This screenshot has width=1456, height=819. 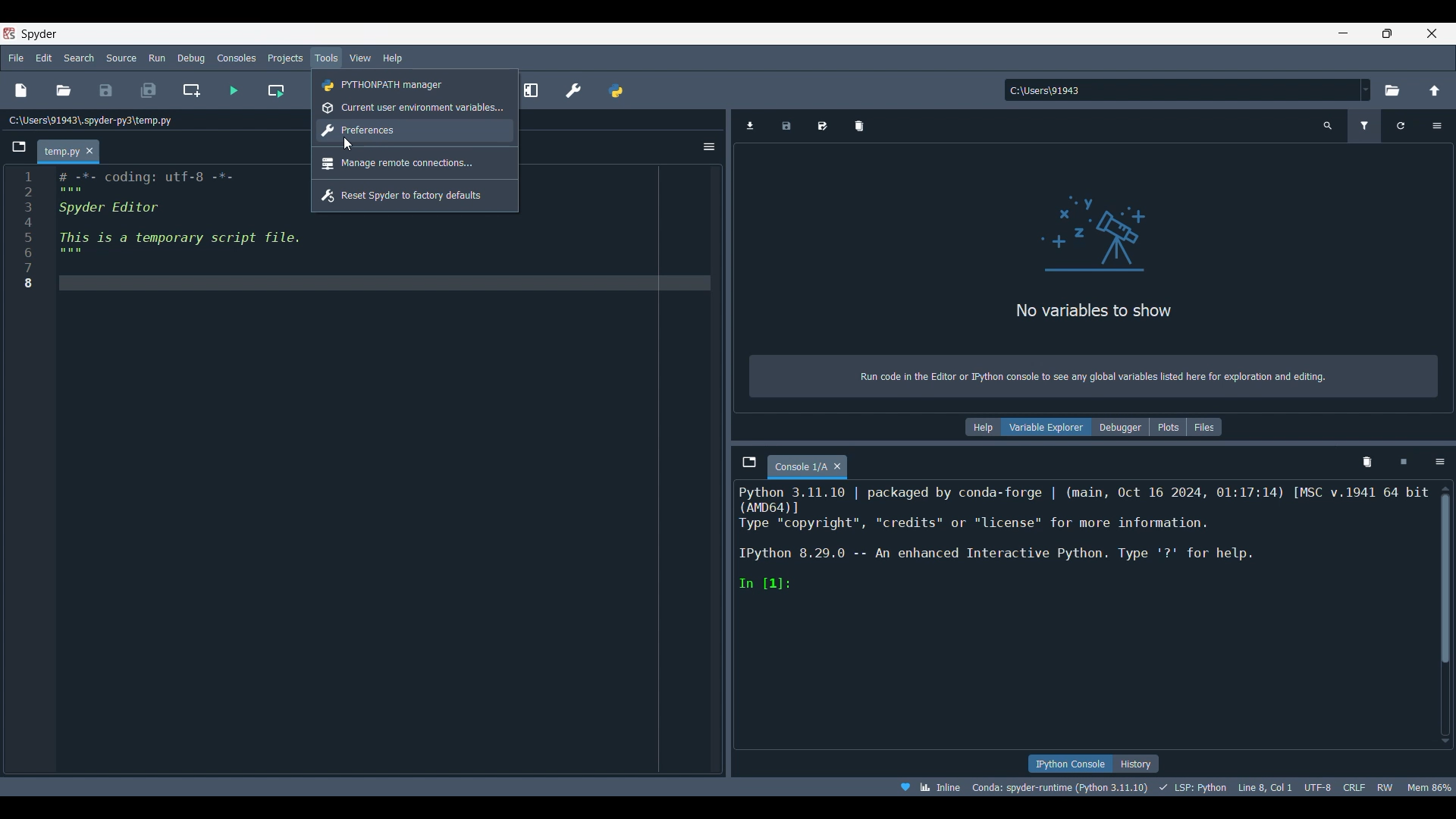 What do you see at coordinates (89, 152) in the screenshot?
I see `Close tab` at bounding box center [89, 152].